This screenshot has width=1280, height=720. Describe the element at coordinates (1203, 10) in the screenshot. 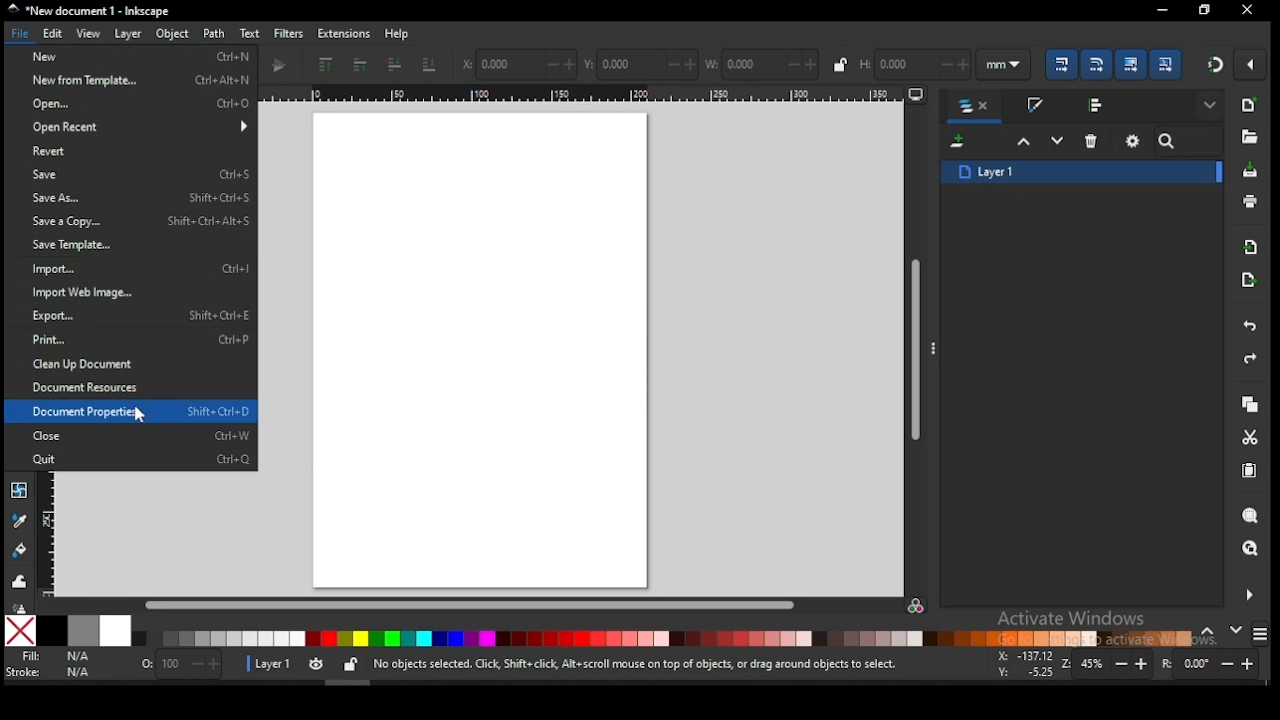

I see `close window` at that location.